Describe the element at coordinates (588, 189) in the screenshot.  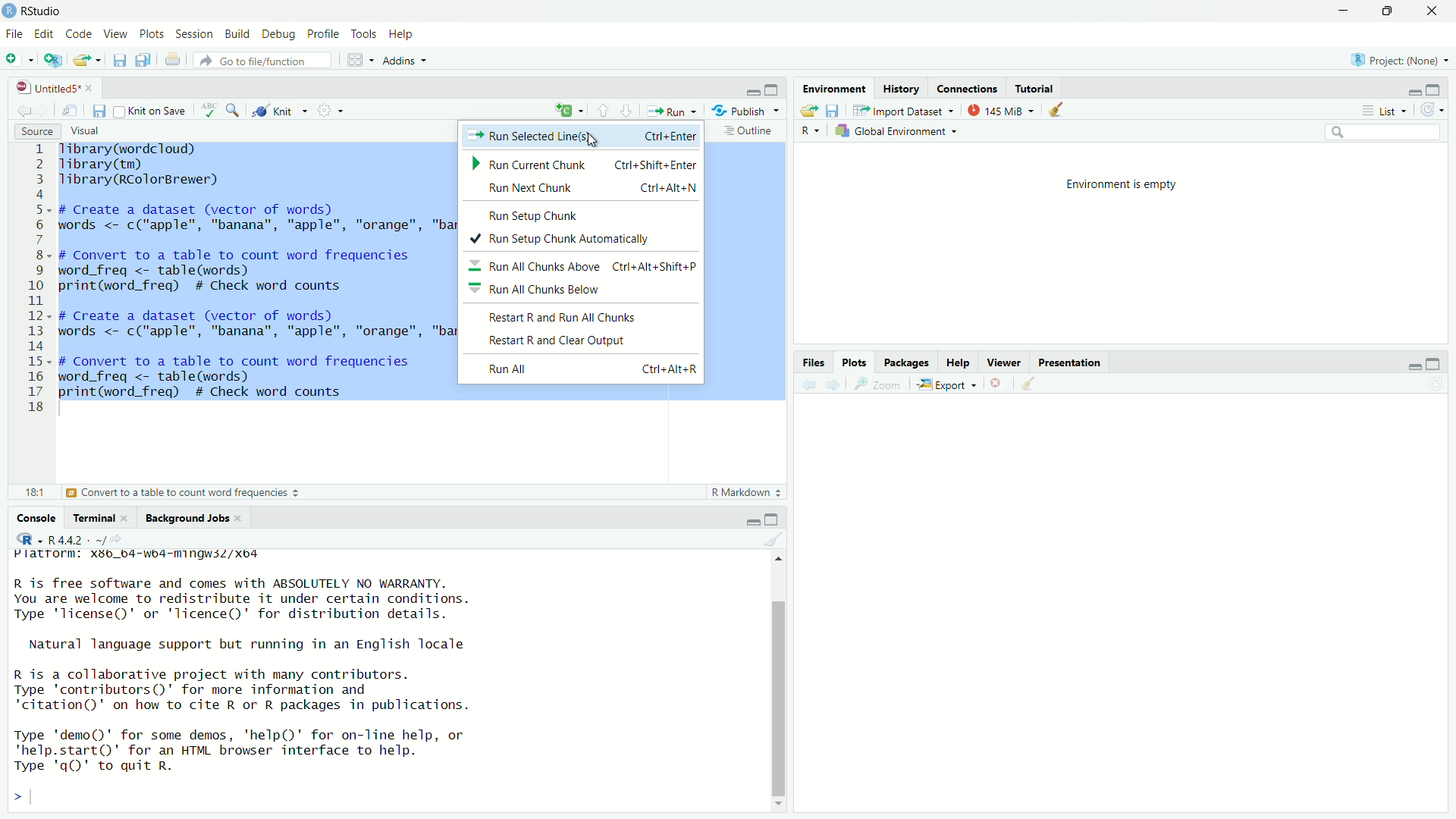
I see `Run next chunk` at that location.